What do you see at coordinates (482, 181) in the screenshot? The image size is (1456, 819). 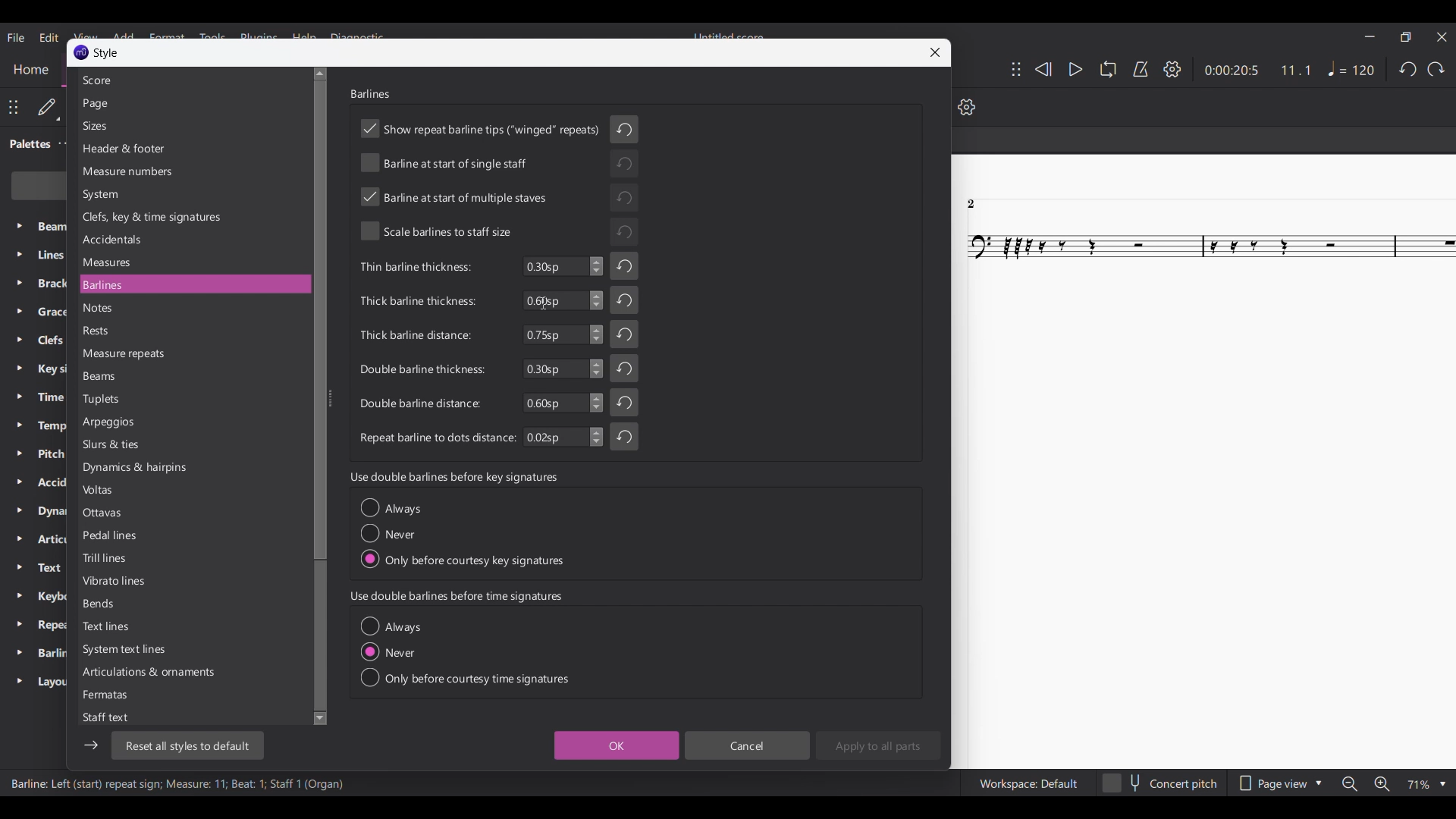 I see `Indicates toggle on/off` at bounding box center [482, 181].